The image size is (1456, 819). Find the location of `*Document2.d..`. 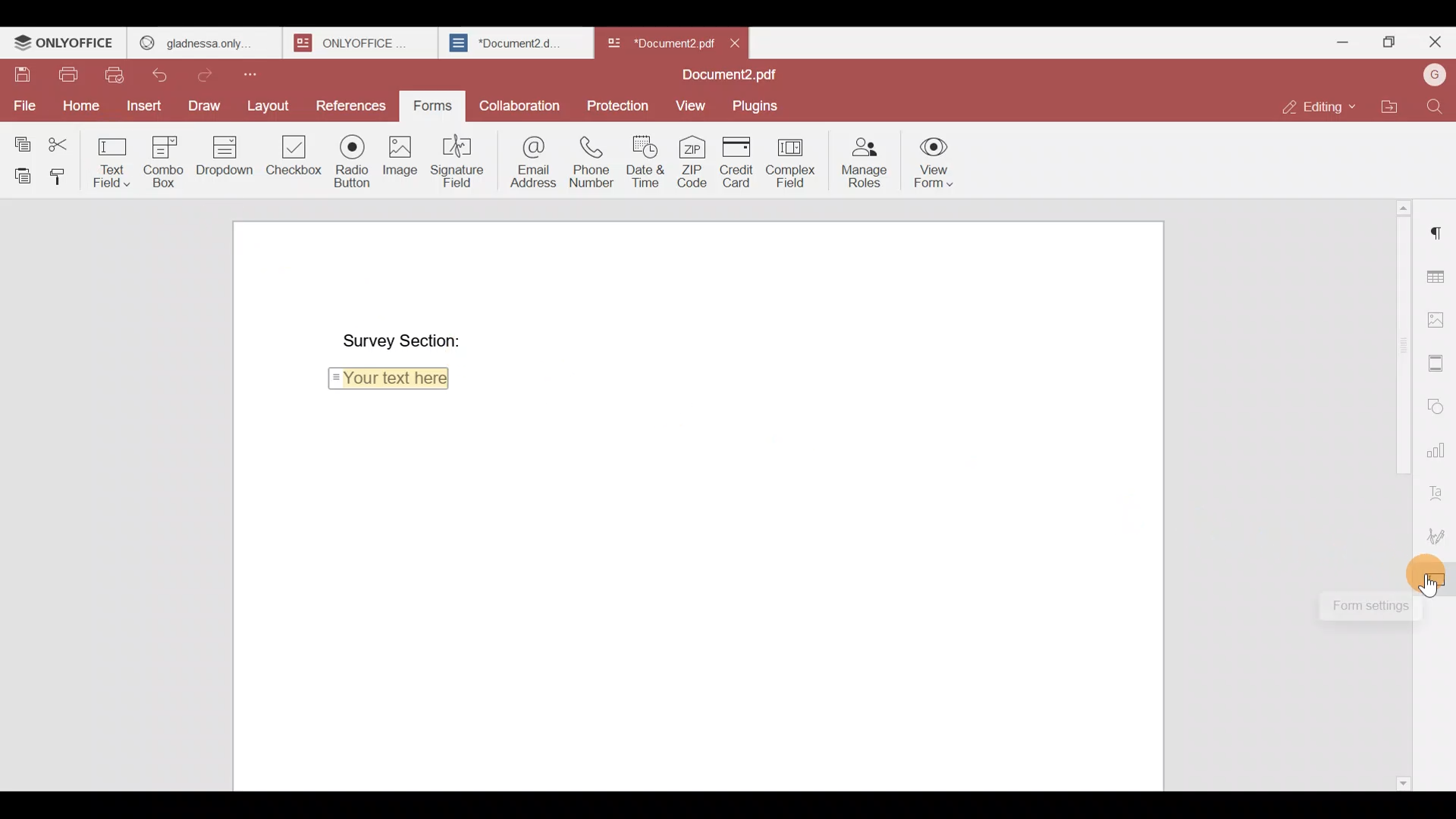

*Document2.d.. is located at coordinates (507, 41).